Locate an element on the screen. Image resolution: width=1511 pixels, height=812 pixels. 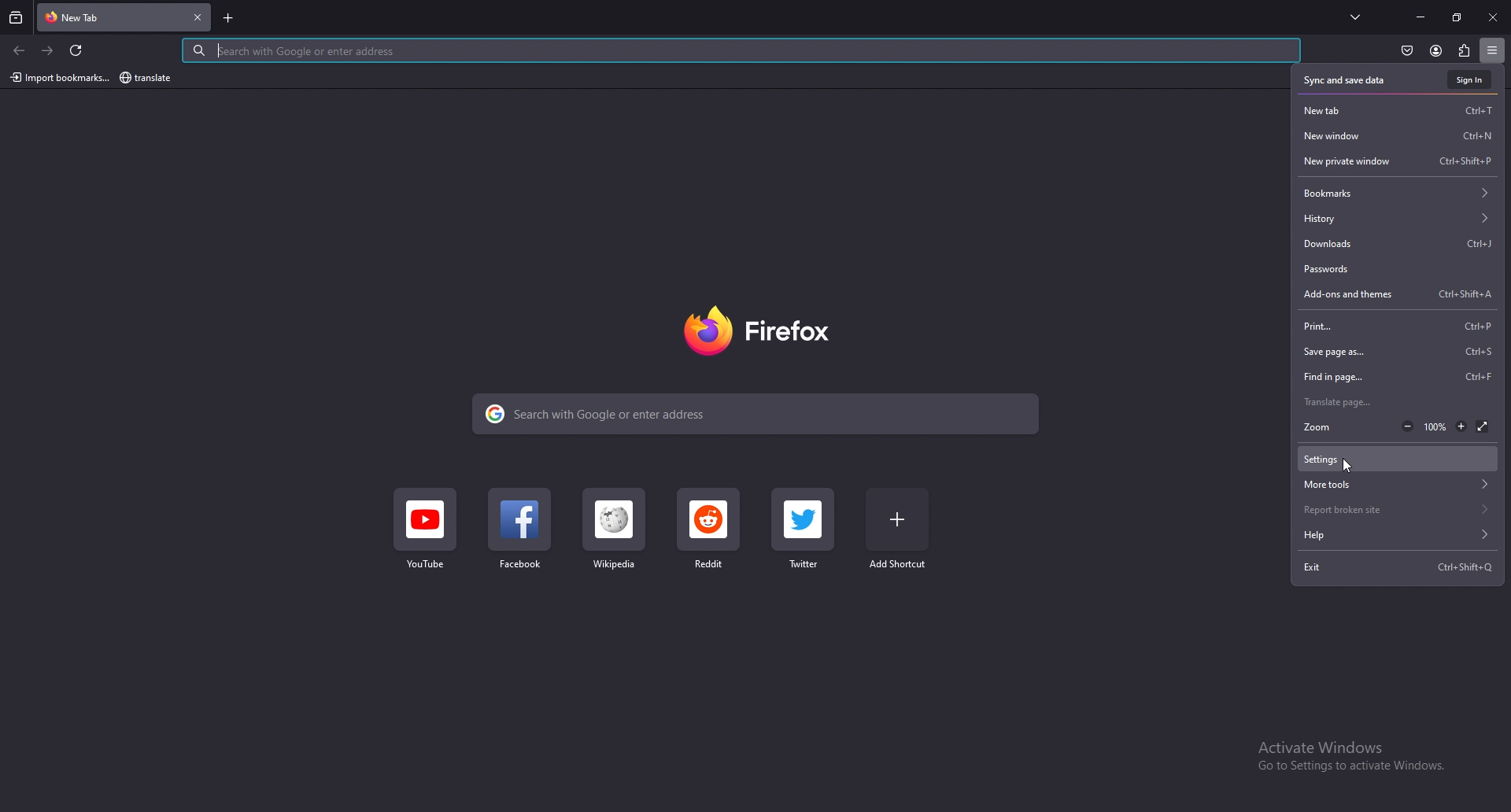
print is located at coordinates (1402, 325).